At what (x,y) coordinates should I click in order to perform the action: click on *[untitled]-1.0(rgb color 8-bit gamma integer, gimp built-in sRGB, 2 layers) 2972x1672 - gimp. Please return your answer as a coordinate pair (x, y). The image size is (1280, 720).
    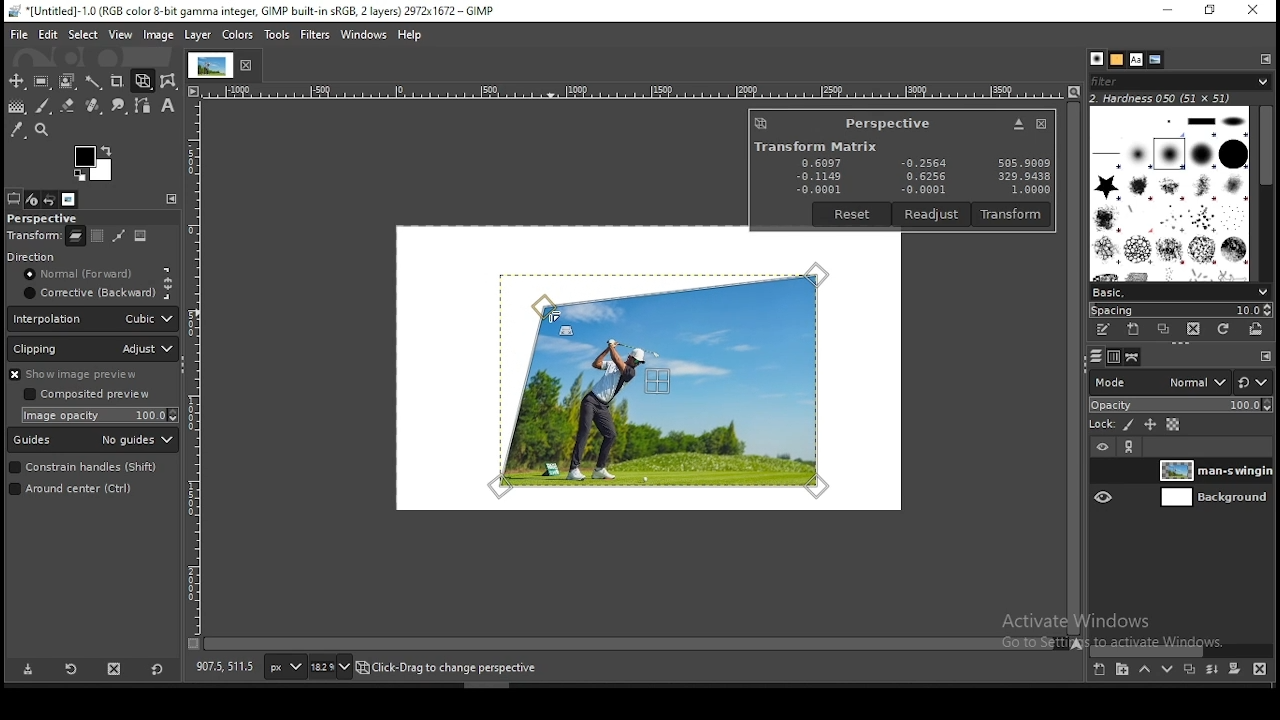
    Looking at the image, I should click on (251, 12).